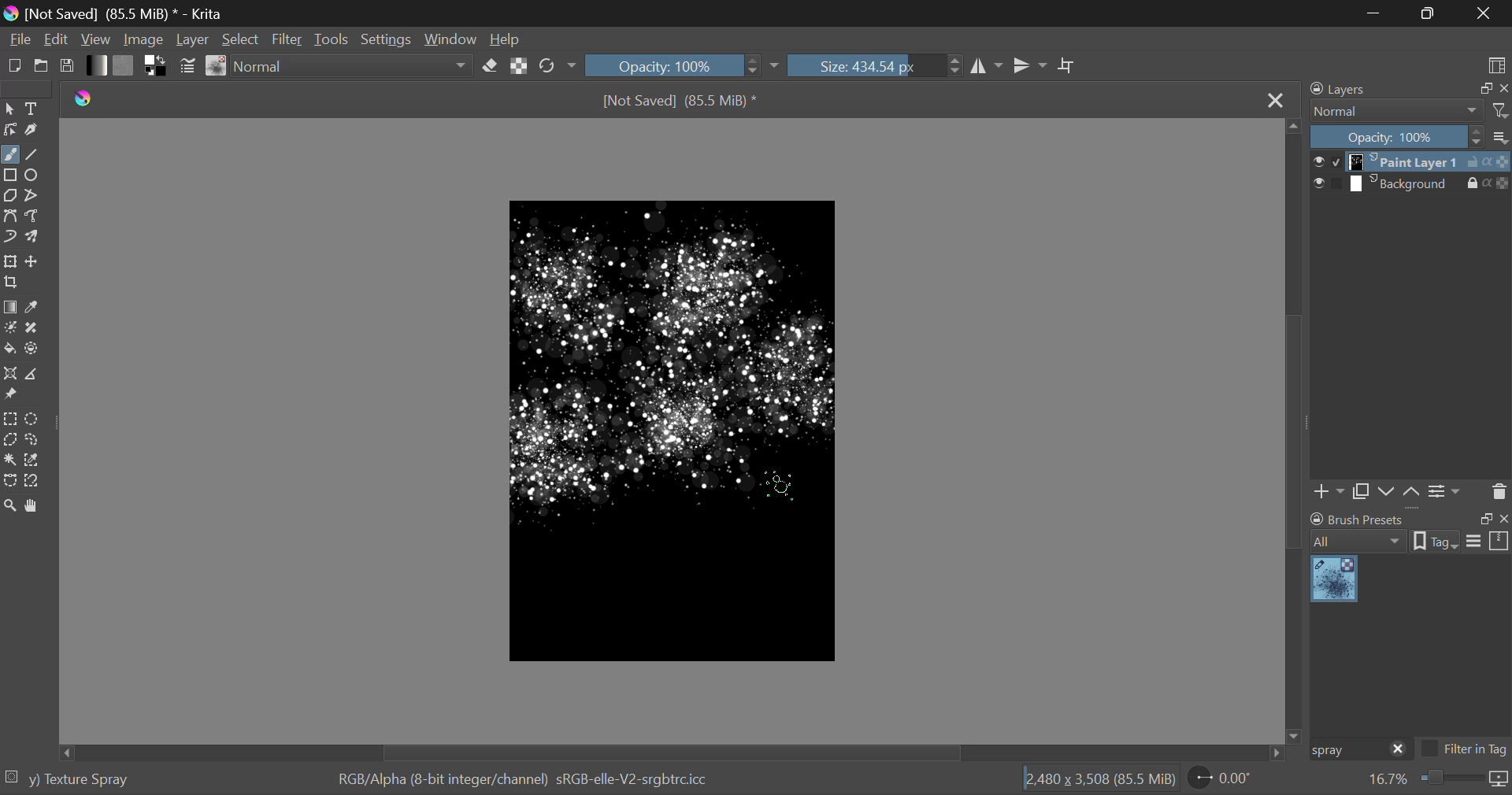 The height and width of the screenshot is (795, 1512). What do you see at coordinates (10, 420) in the screenshot?
I see `Rectangular Selection` at bounding box center [10, 420].